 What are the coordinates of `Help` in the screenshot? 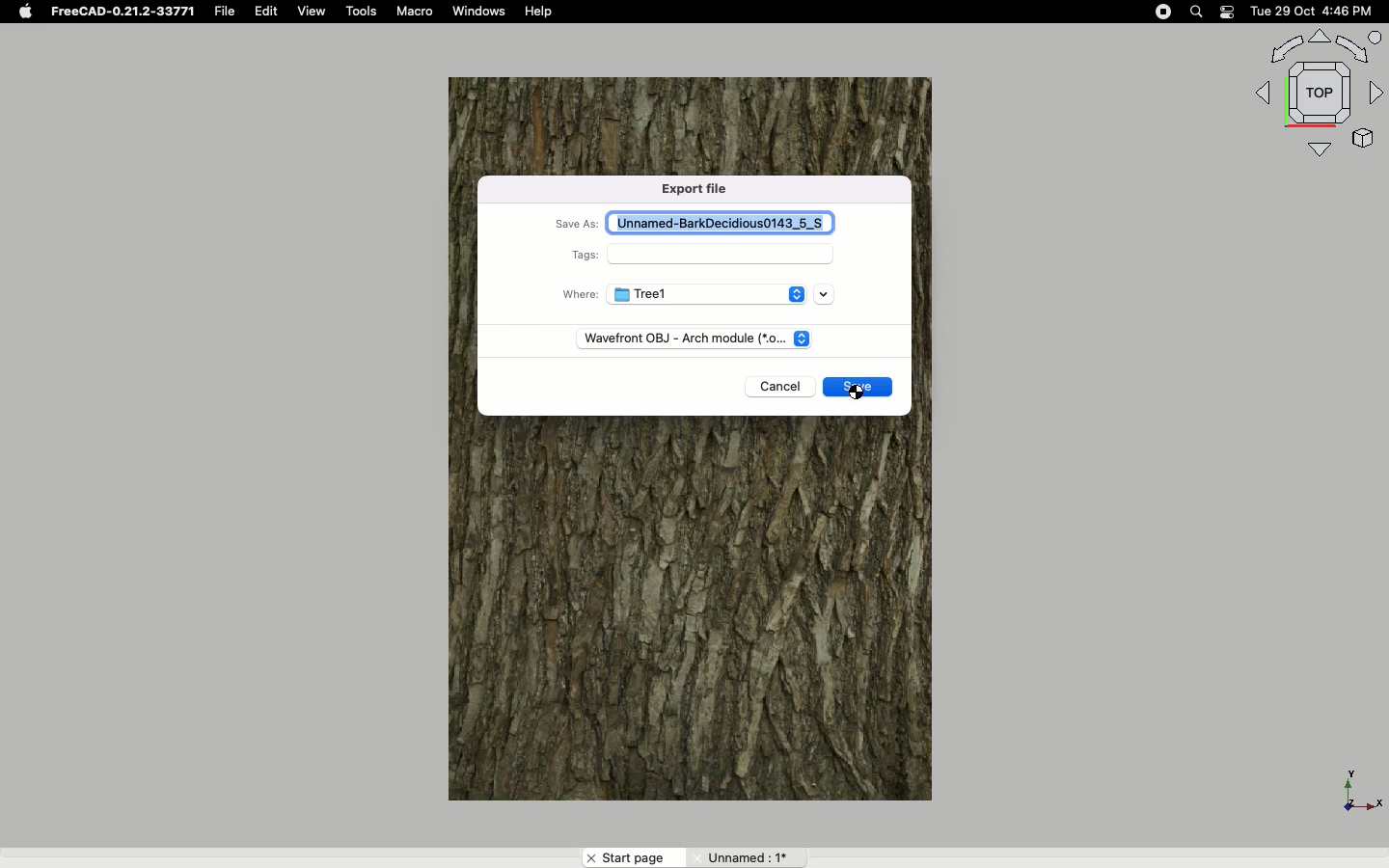 It's located at (540, 12).